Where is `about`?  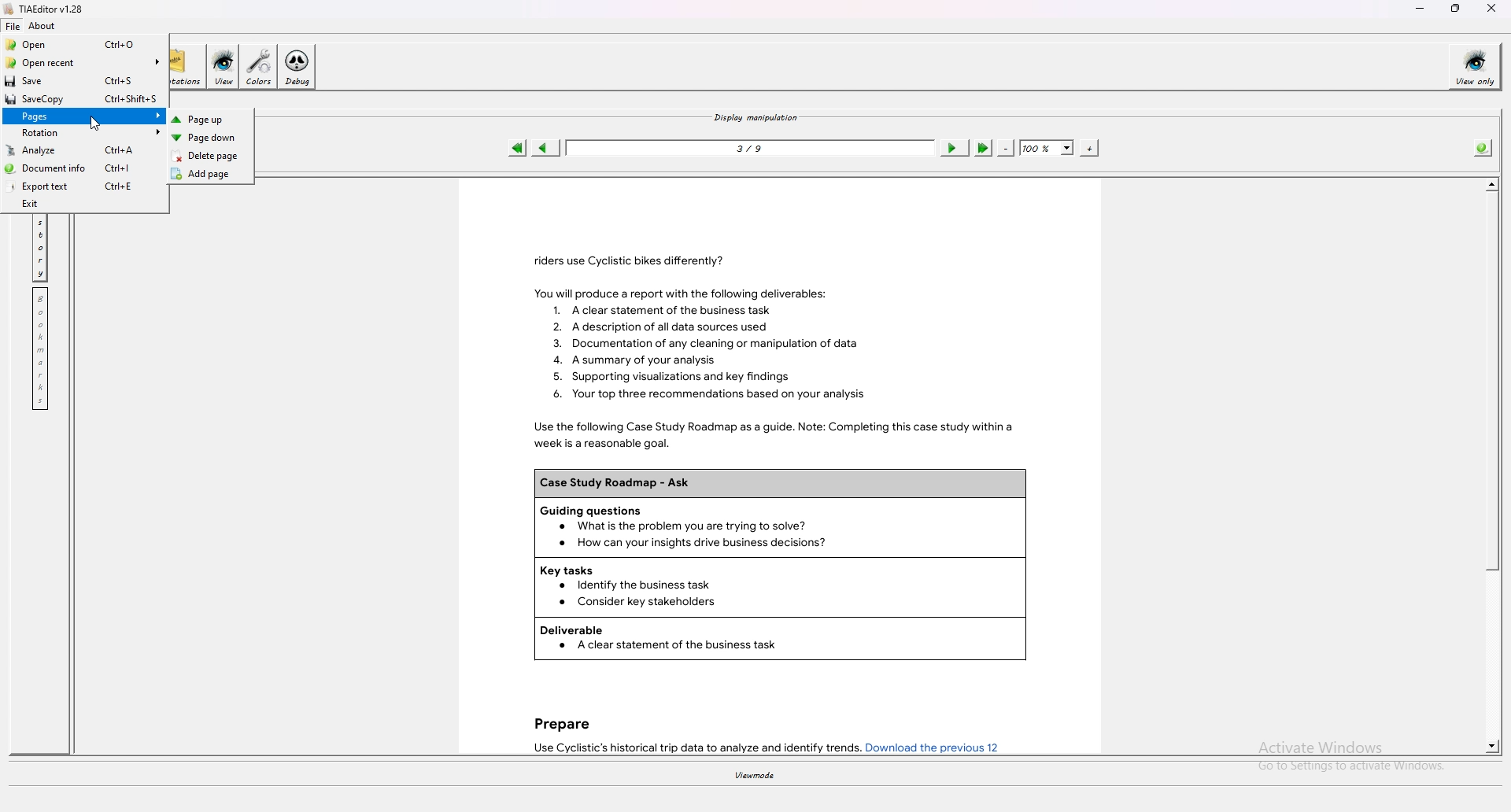 about is located at coordinates (41, 25).